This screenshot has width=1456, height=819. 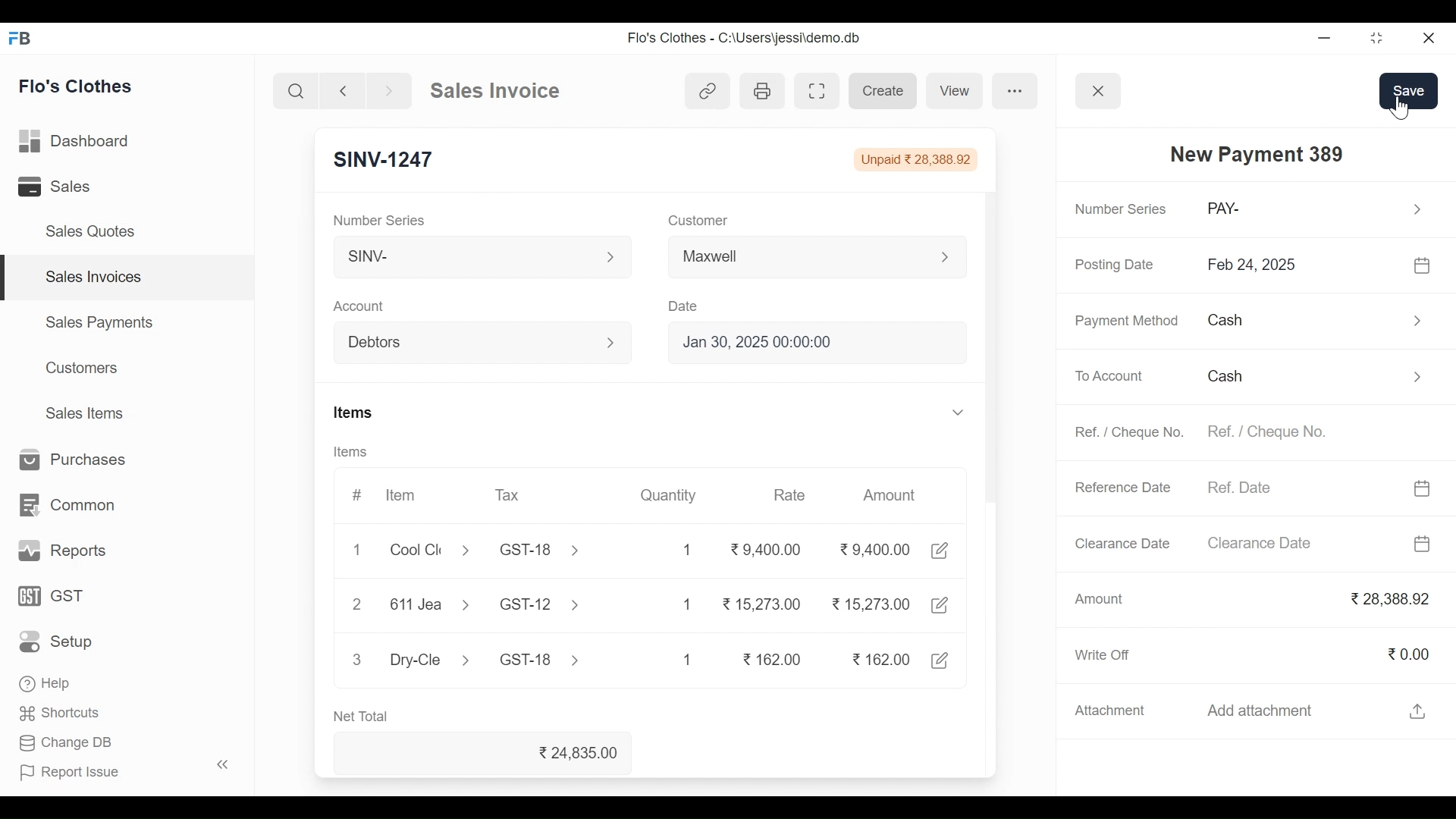 I want to click on Jan 30, 2025 00:00:00, so click(x=811, y=341).